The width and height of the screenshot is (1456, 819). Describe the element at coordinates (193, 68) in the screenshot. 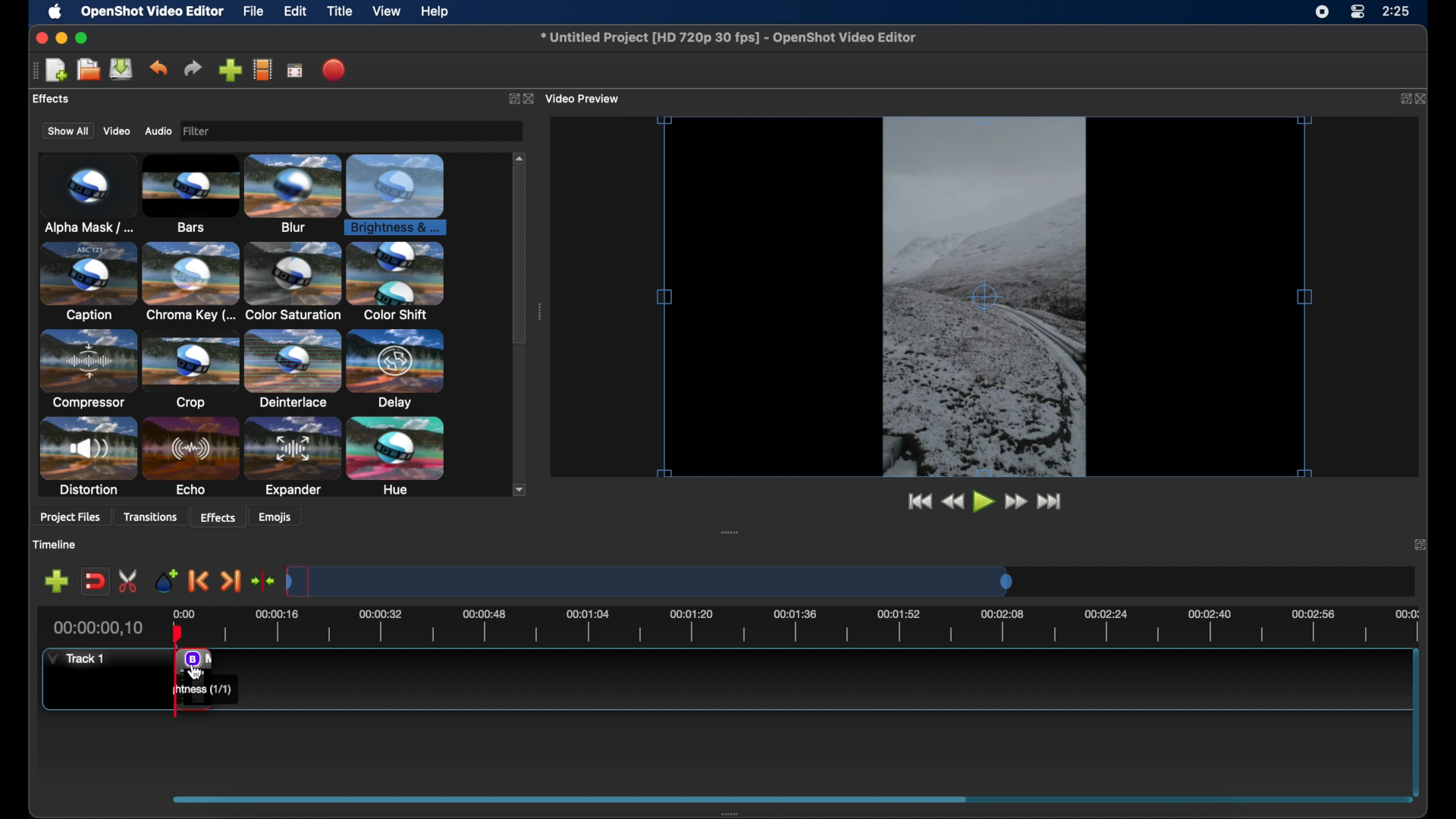

I see `redo` at that location.